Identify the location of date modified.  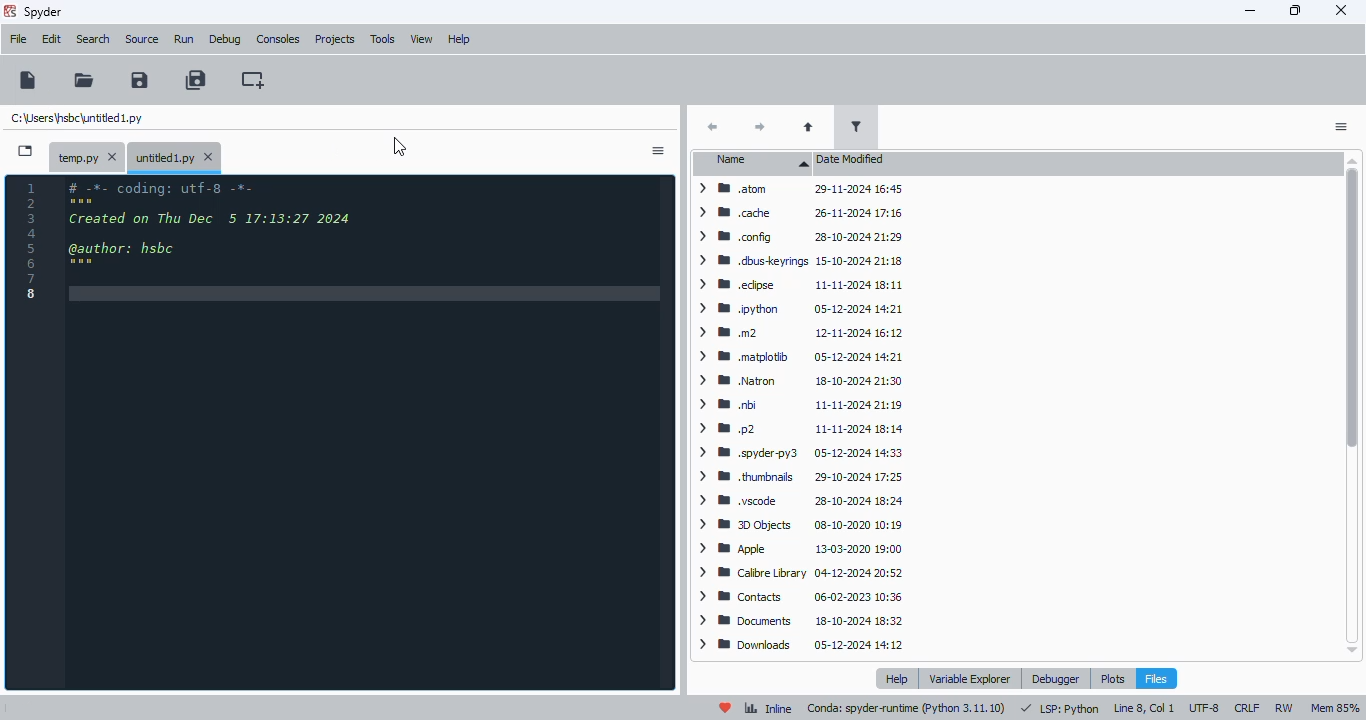
(853, 159).